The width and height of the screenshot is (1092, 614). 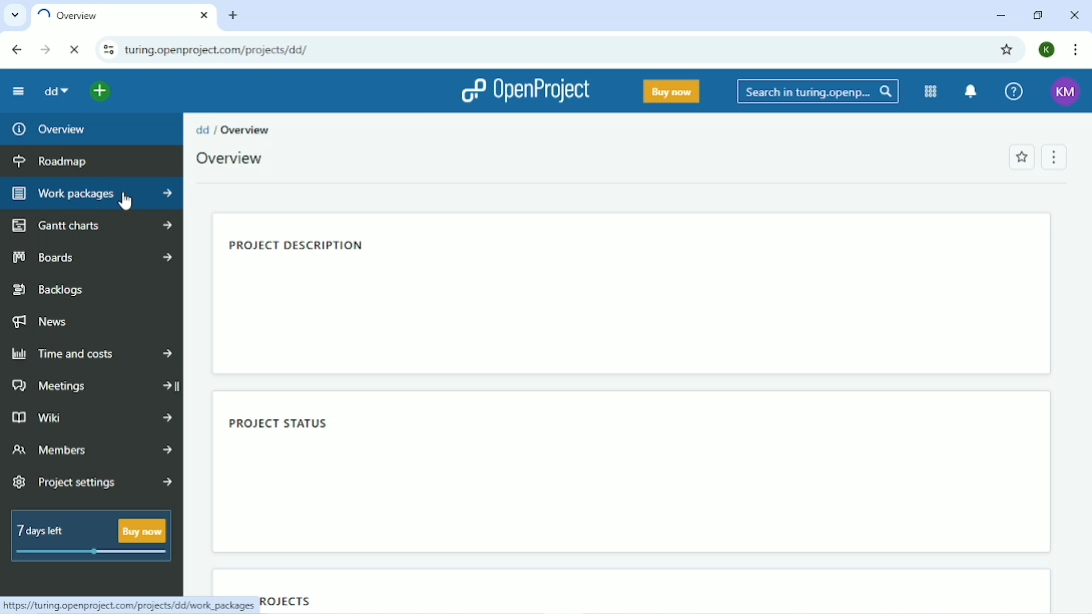 I want to click on Project settings, so click(x=94, y=483).